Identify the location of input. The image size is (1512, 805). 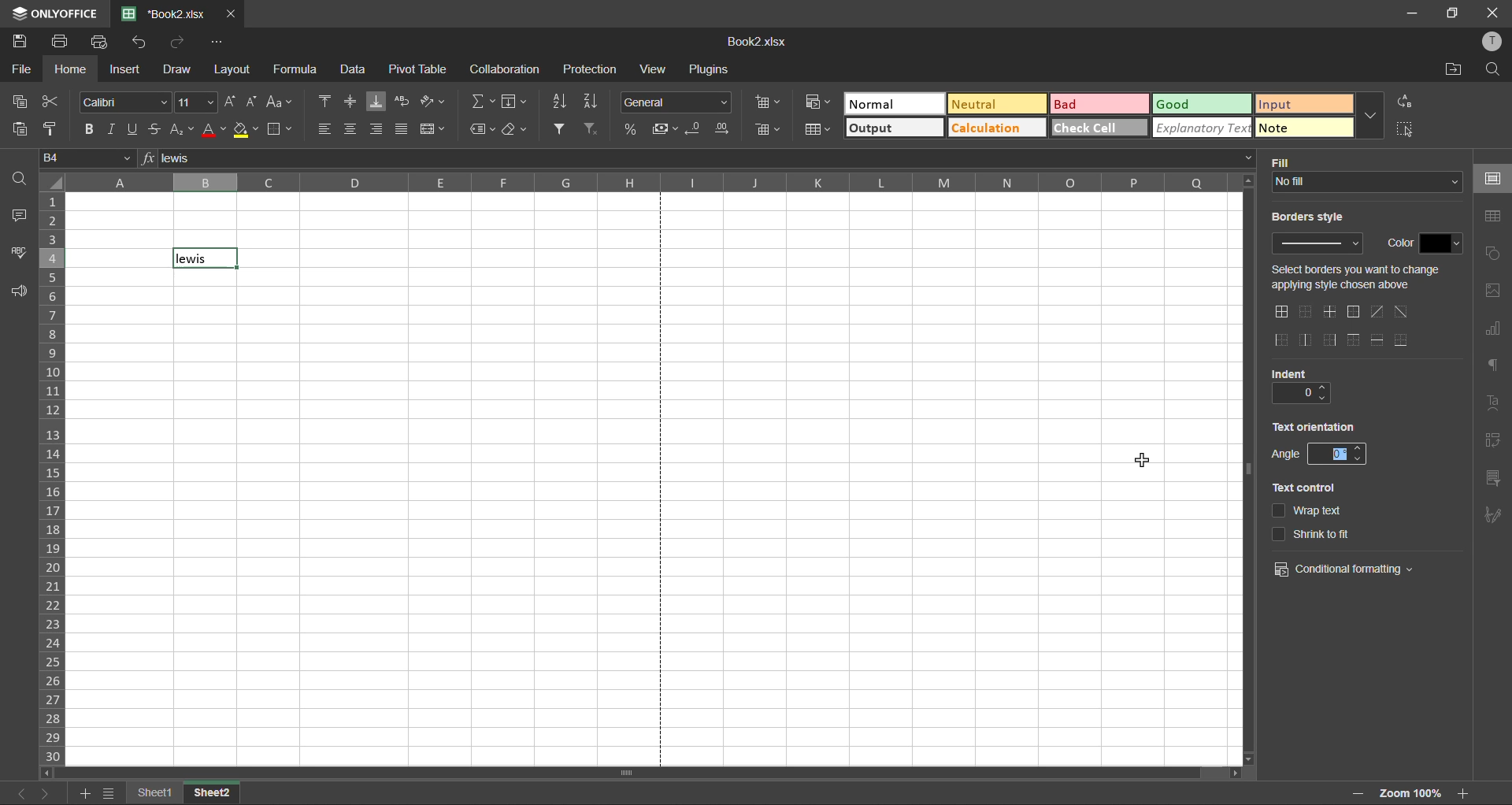
(1304, 103).